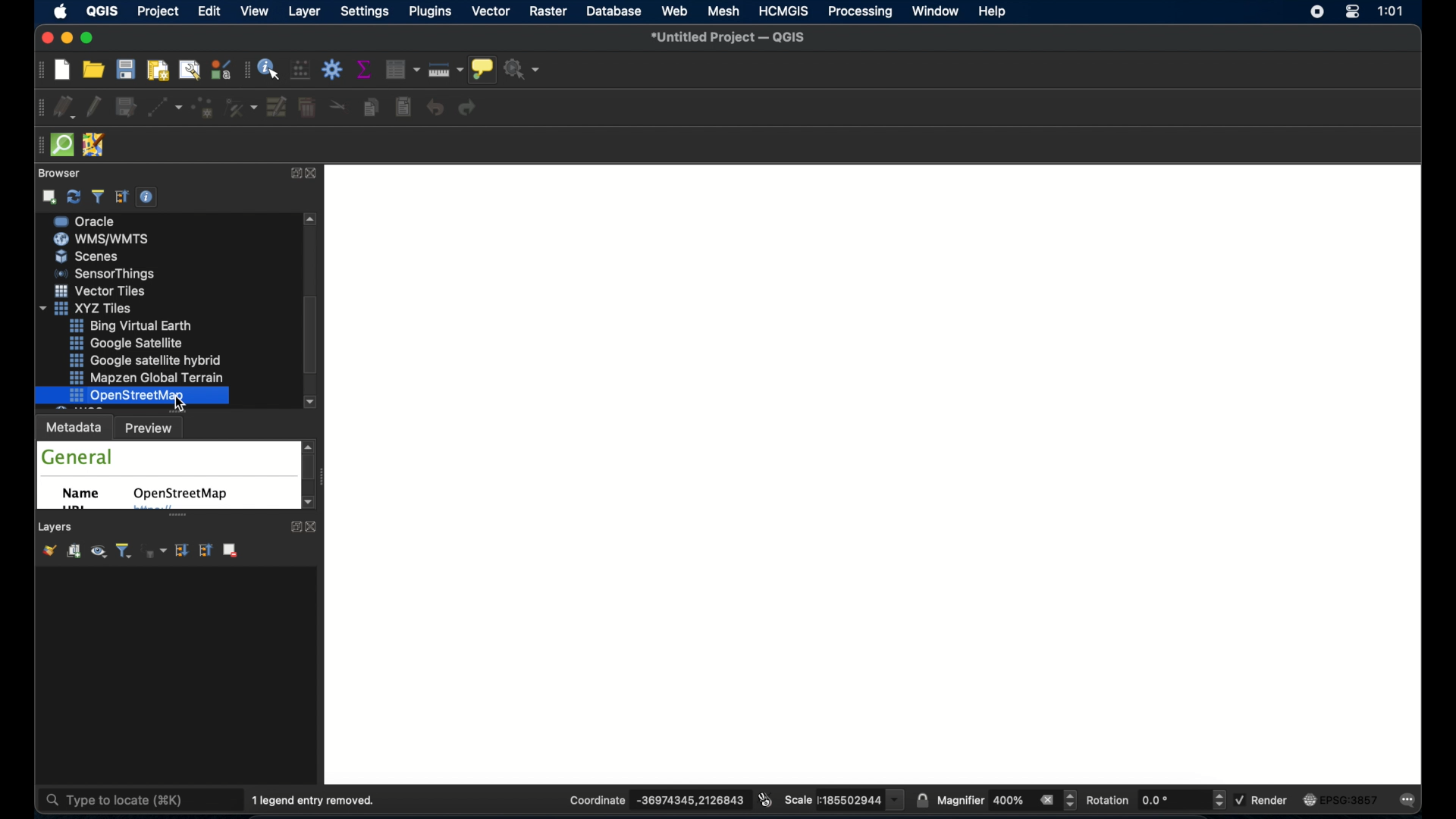  Describe the element at coordinates (105, 308) in the screenshot. I see `scenes` at that location.